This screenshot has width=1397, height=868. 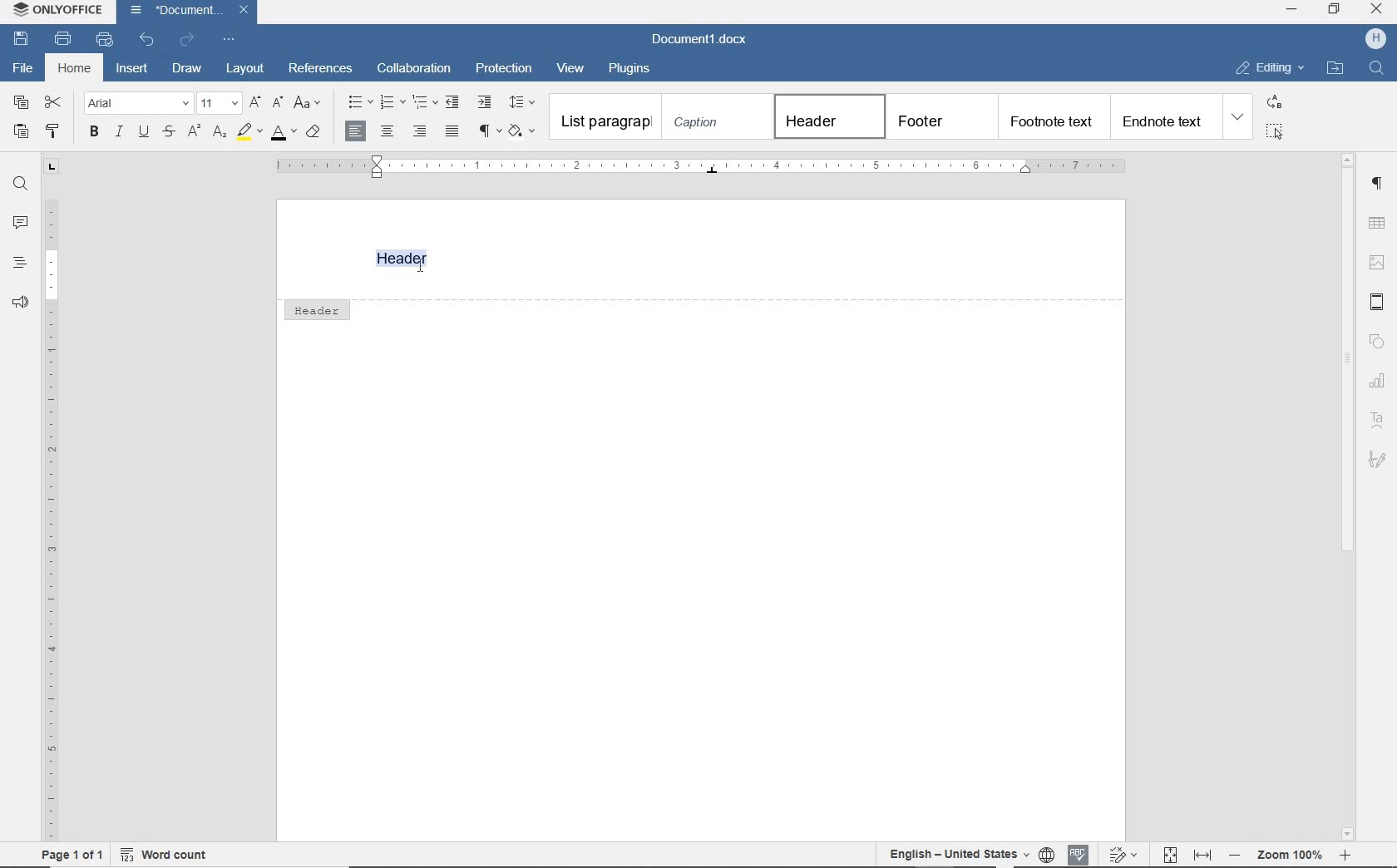 I want to click on subscript, so click(x=221, y=134).